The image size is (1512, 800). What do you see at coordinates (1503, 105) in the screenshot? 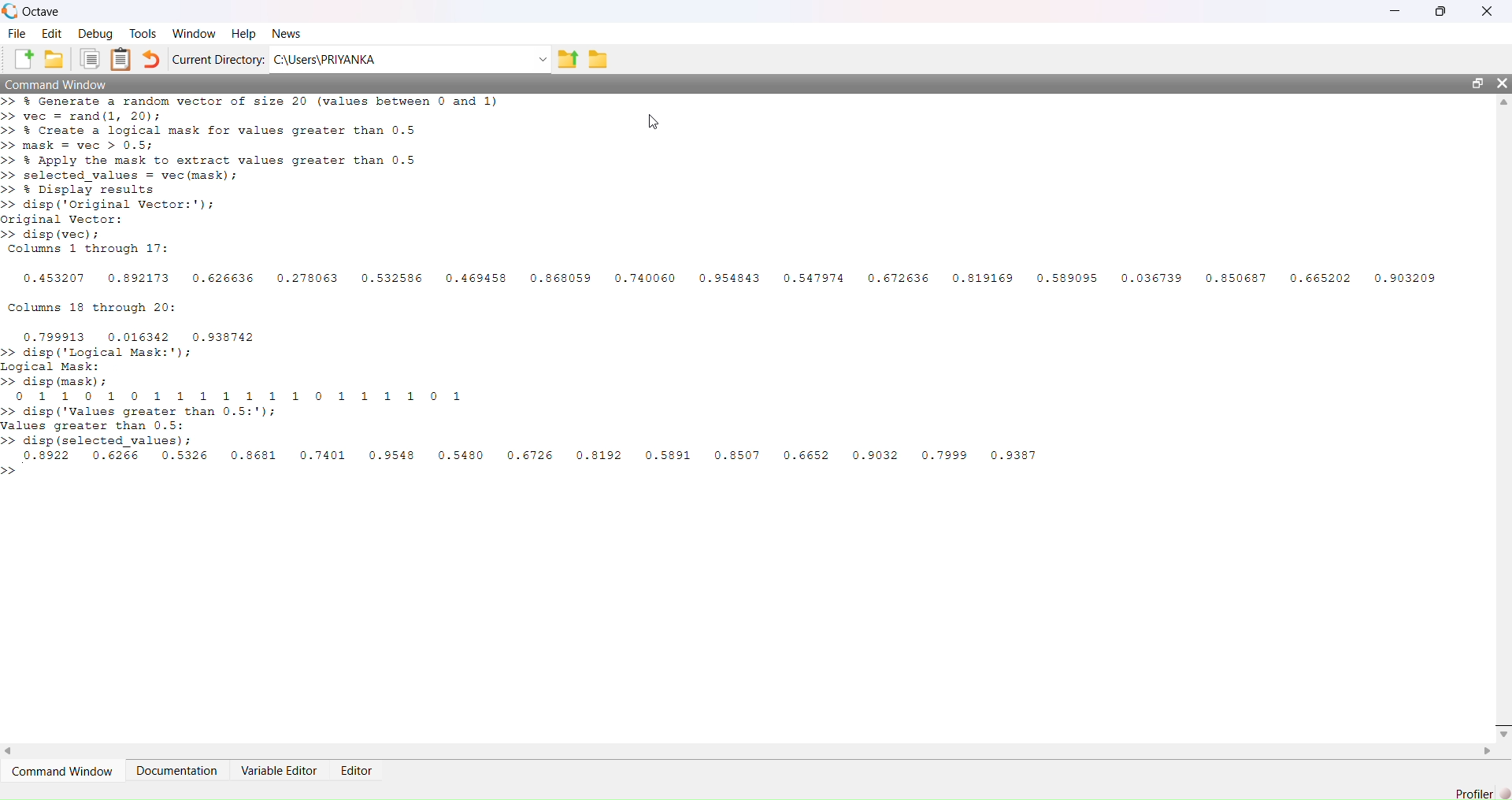
I see `Scroll up ` at bounding box center [1503, 105].